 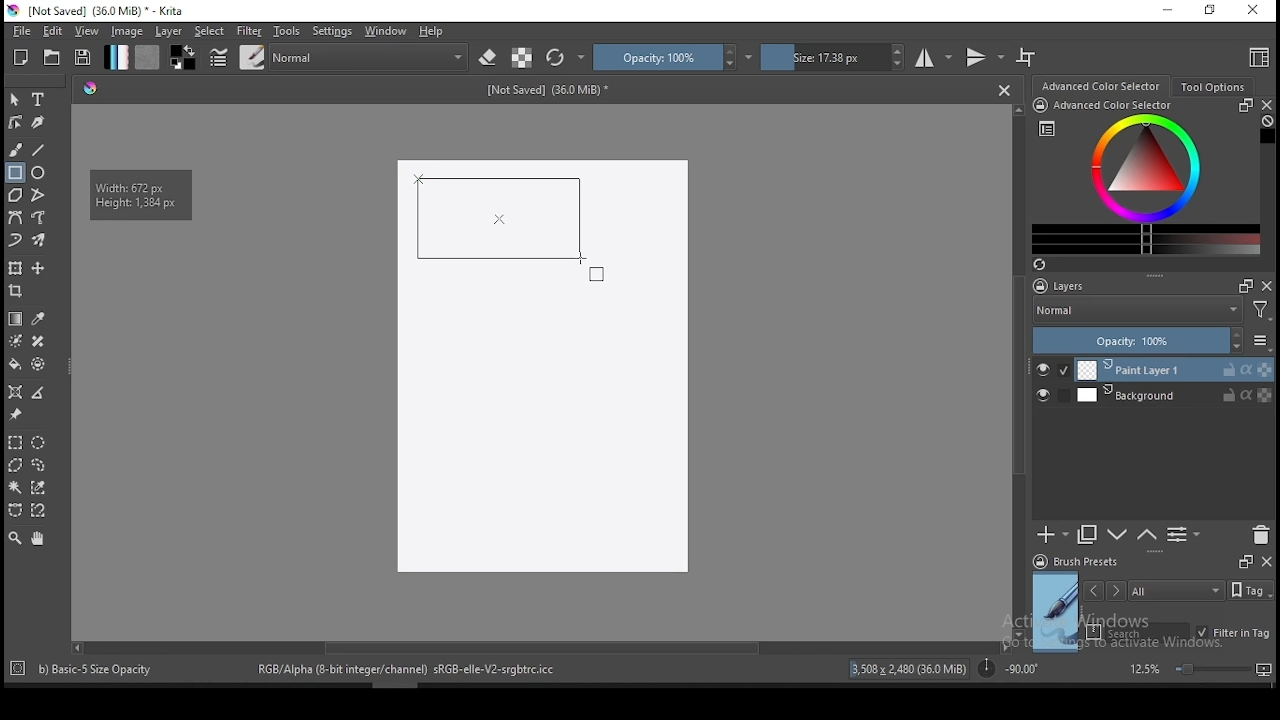 What do you see at coordinates (1027, 57) in the screenshot?
I see `wrap around mode` at bounding box center [1027, 57].